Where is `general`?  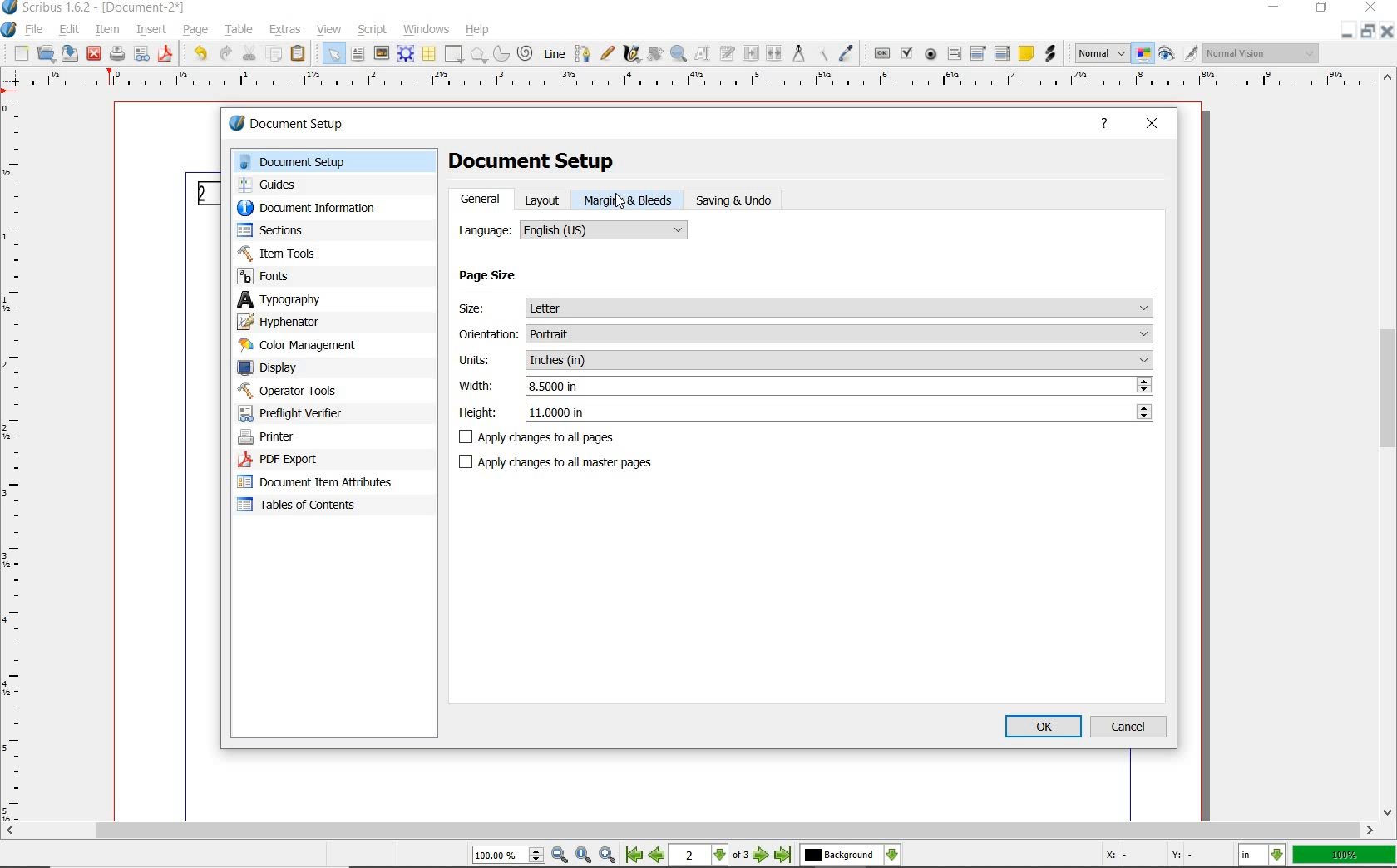 general is located at coordinates (481, 200).